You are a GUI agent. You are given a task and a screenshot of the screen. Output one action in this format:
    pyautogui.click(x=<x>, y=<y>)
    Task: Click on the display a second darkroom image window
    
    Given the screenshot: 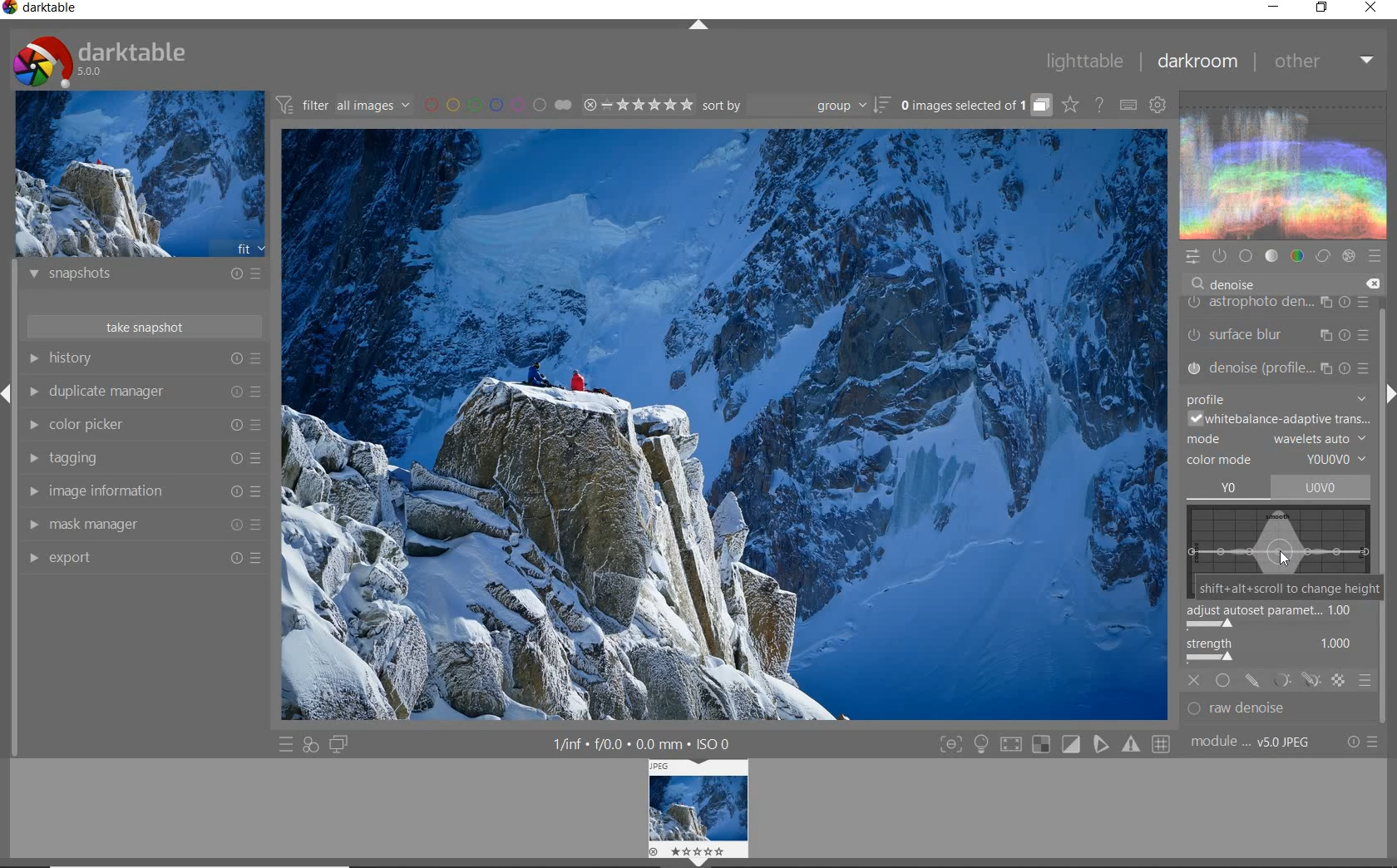 What is the action you would take?
    pyautogui.click(x=338, y=745)
    